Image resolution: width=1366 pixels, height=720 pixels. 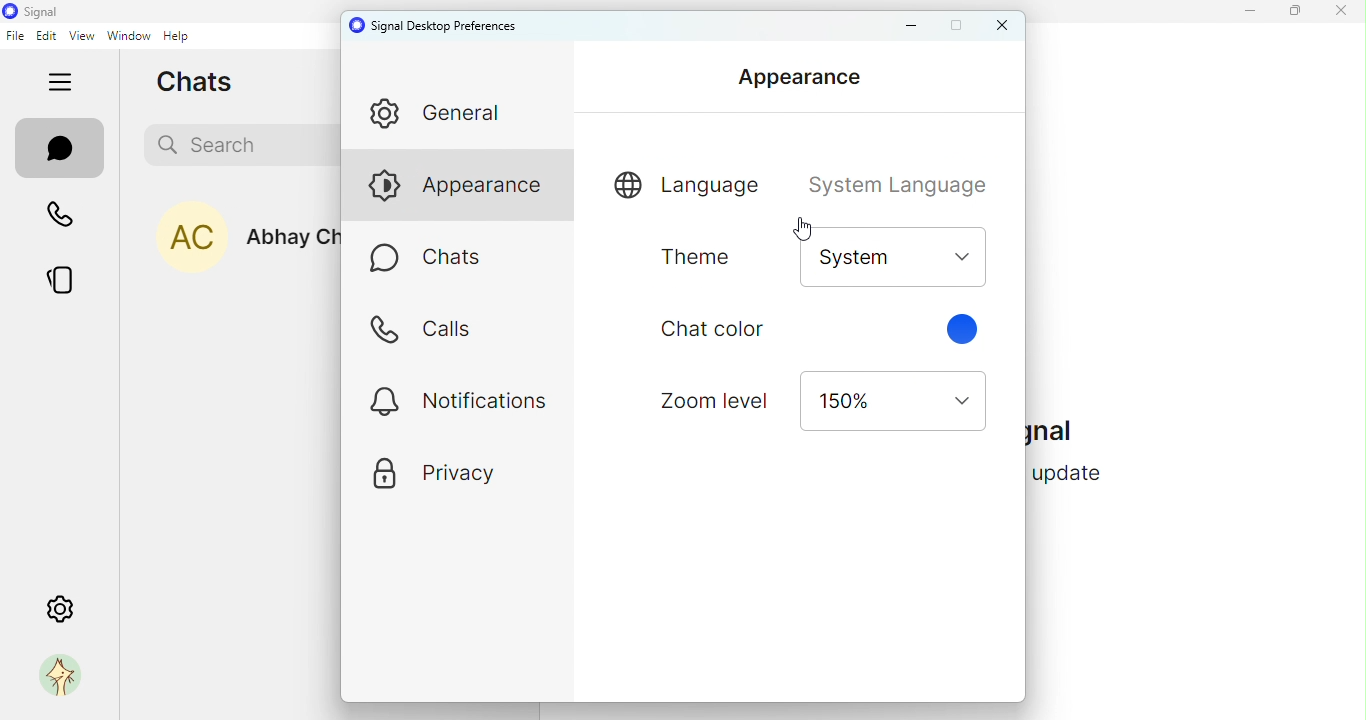 What do you see at coordinates (59, 219) in the screenshot?
I see `calls` at bounding box center [59, 219].